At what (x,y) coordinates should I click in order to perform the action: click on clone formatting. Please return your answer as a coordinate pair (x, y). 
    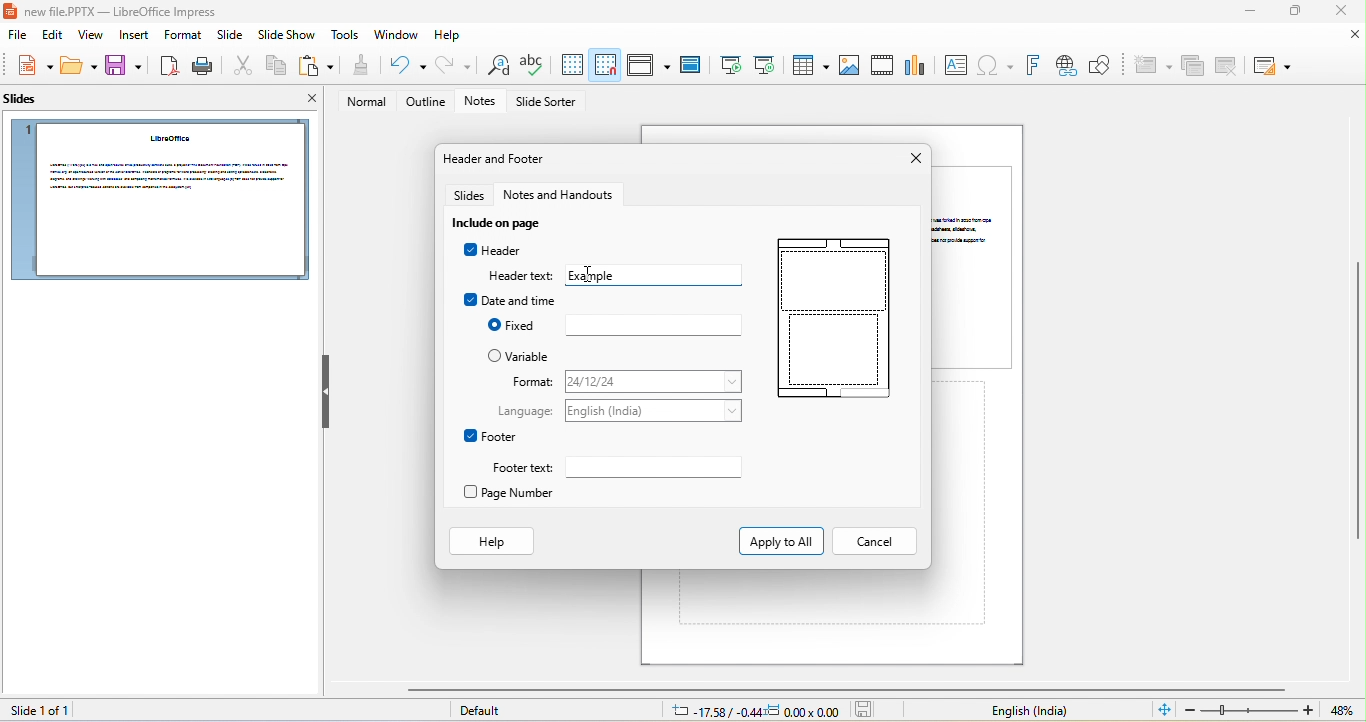
    Looking at the image, I should click on (359, 66).